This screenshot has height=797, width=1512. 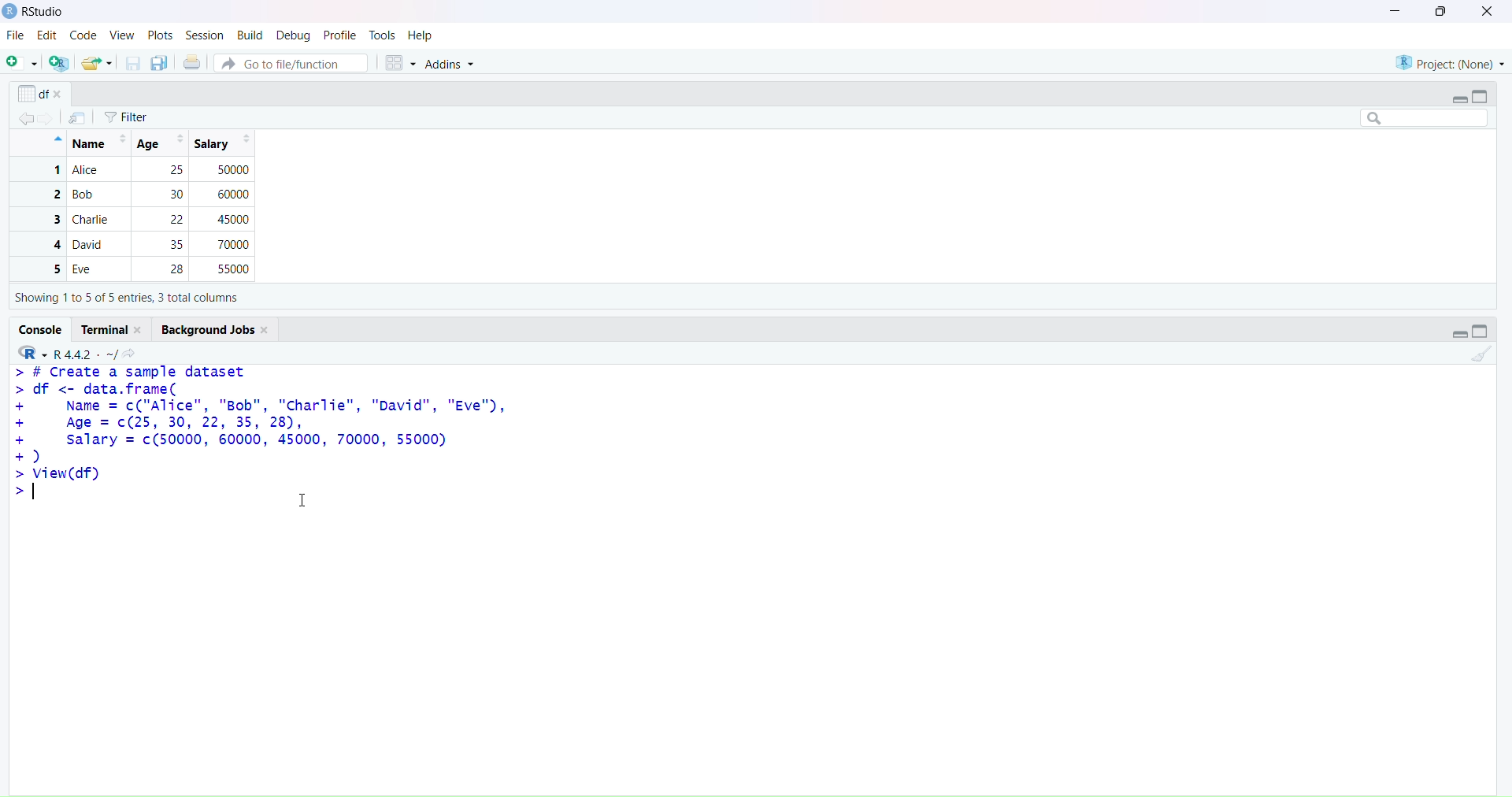 What do you see at coordinates (113, 328) in the screenshot?
I see `terminal` at bounding box center [113, 328].